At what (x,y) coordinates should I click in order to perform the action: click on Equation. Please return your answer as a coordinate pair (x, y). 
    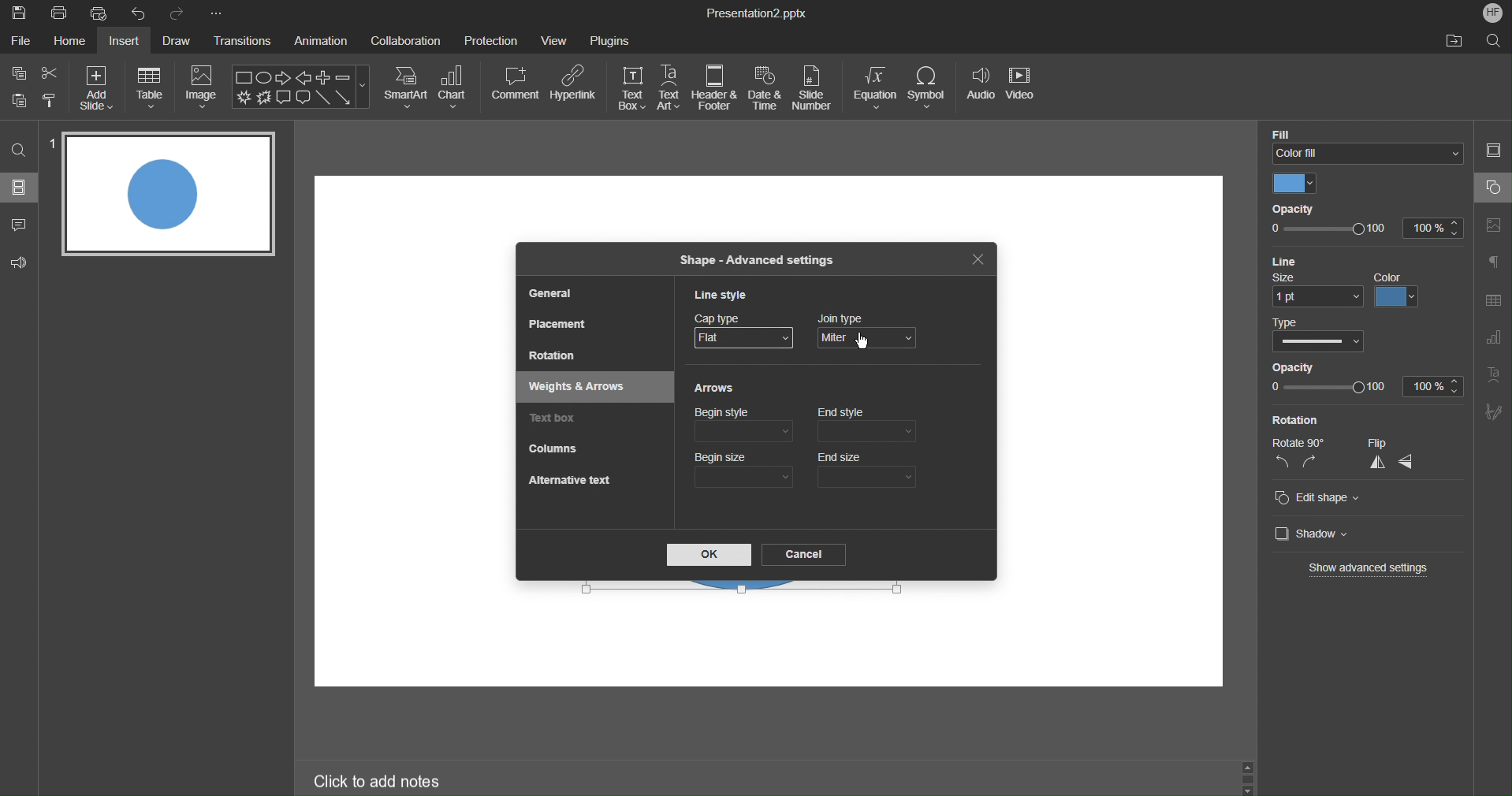
    Looking at the image, I should click on (875, 88).